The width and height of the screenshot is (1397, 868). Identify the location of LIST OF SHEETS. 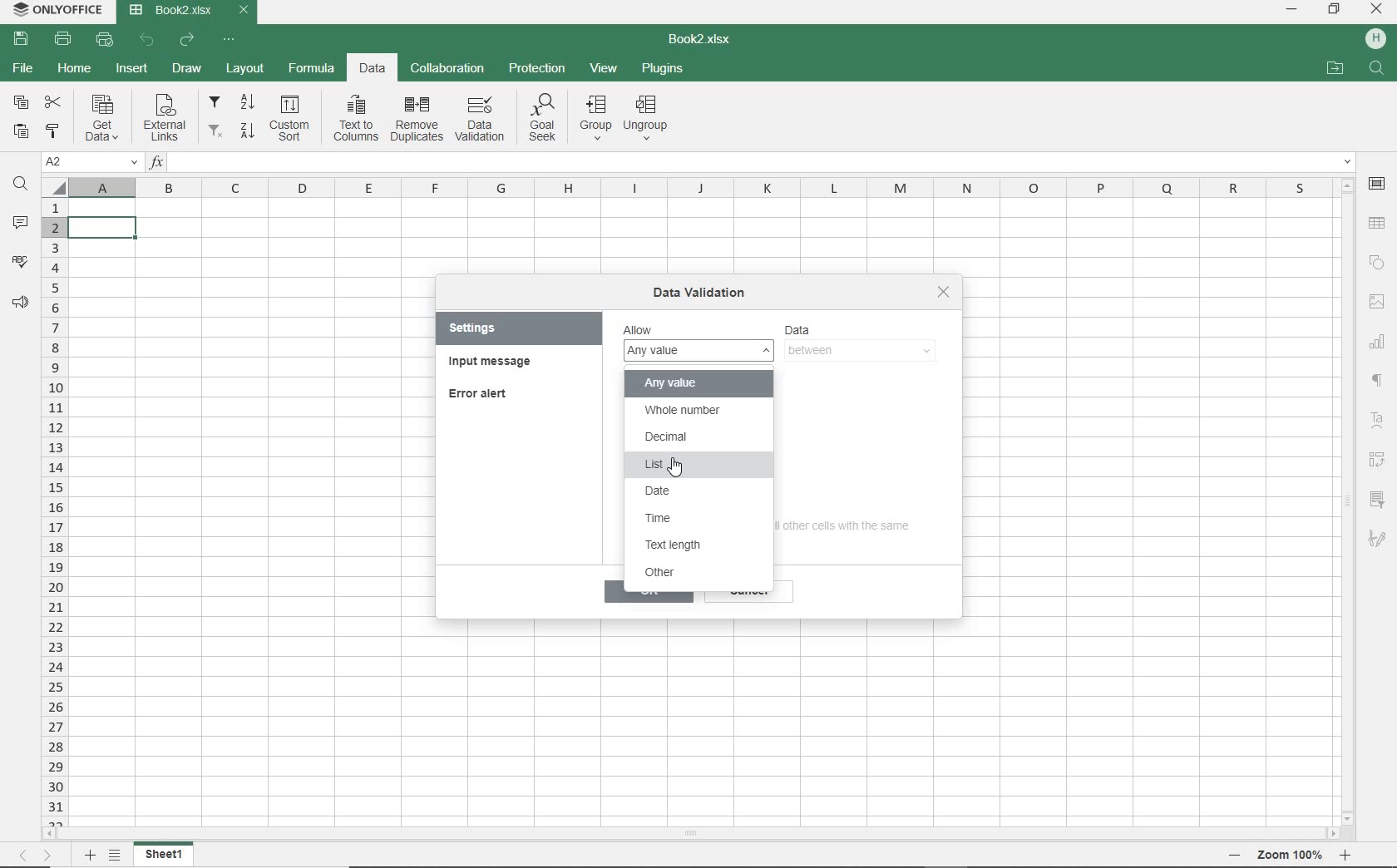
(118, 856).